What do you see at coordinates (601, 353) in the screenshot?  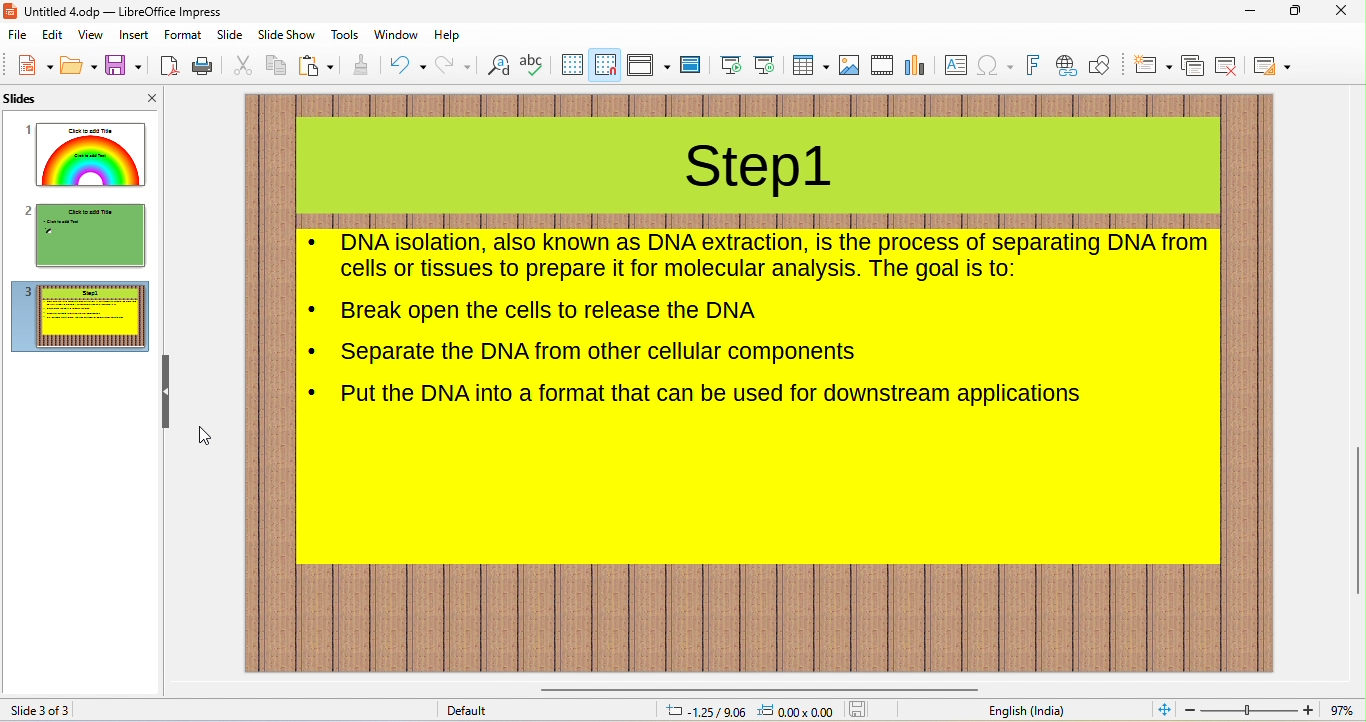 I see `content` at bounding box center [601, 353].